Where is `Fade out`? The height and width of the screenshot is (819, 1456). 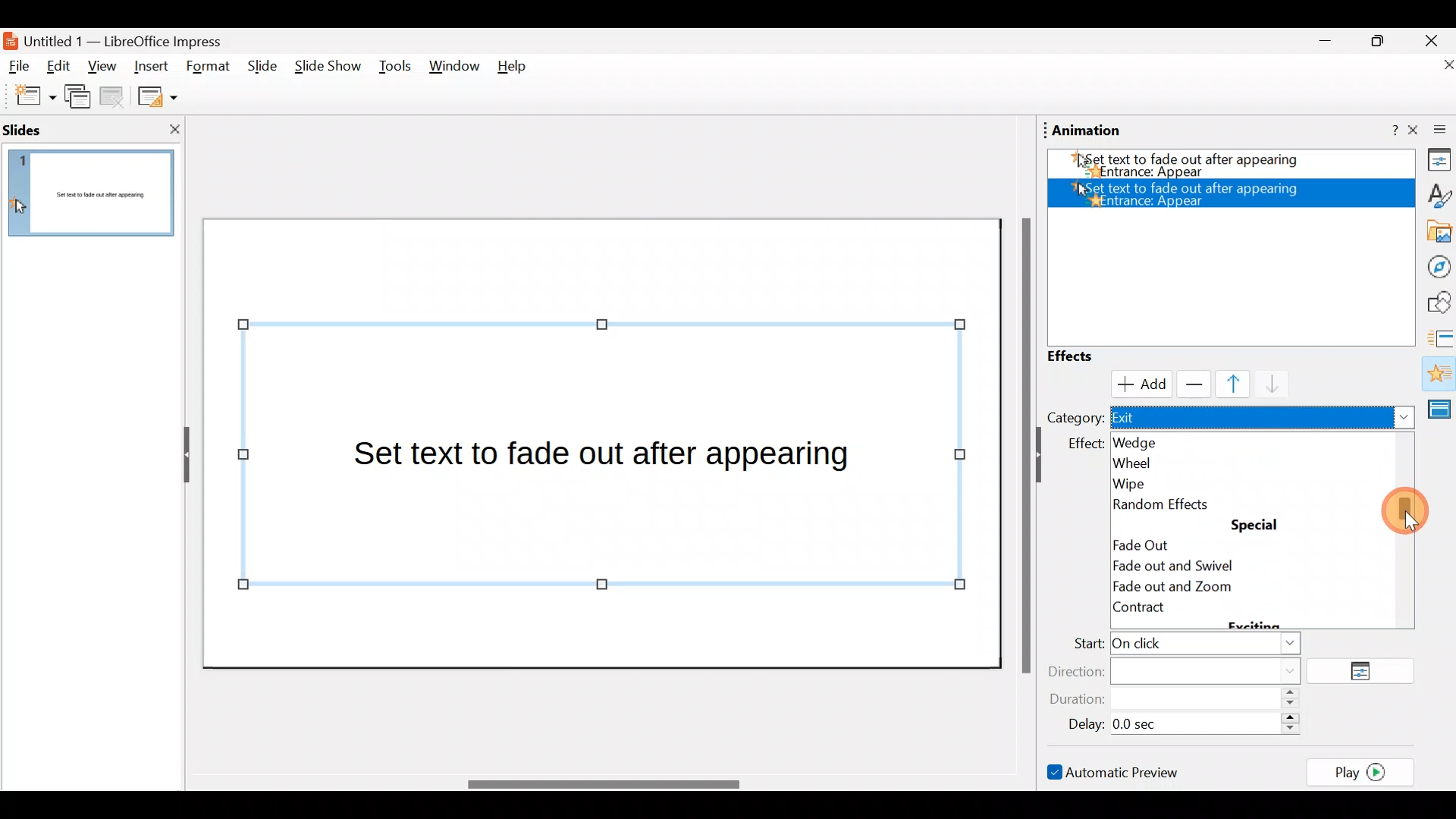
Fade out is located at coordinates (1143, 542).